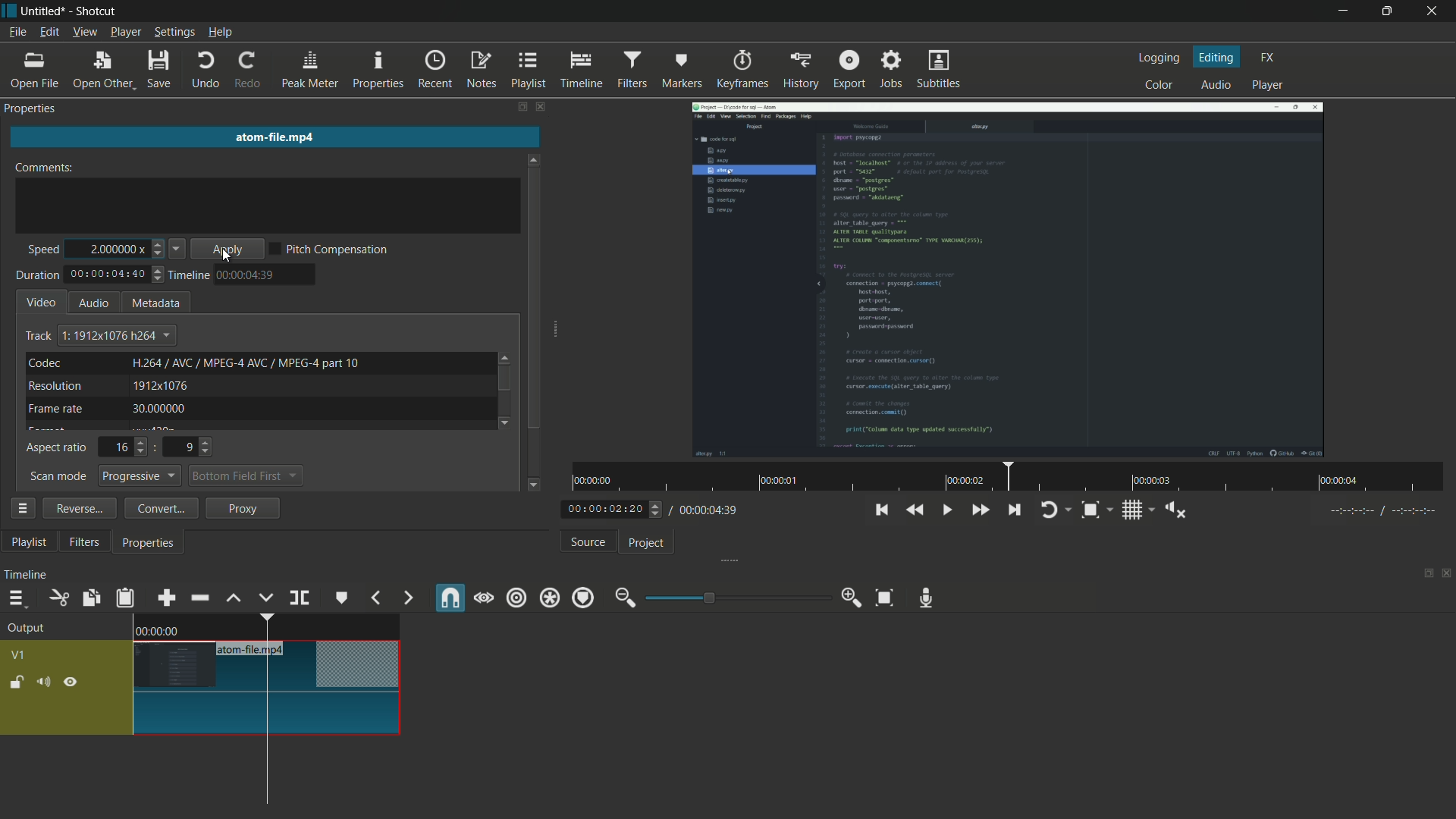 The height and width of the screenshot is (819, 1456). What do you see at coordinates (38, 337) in the screenshot?
I see `track` at bounding box center [38, 337].